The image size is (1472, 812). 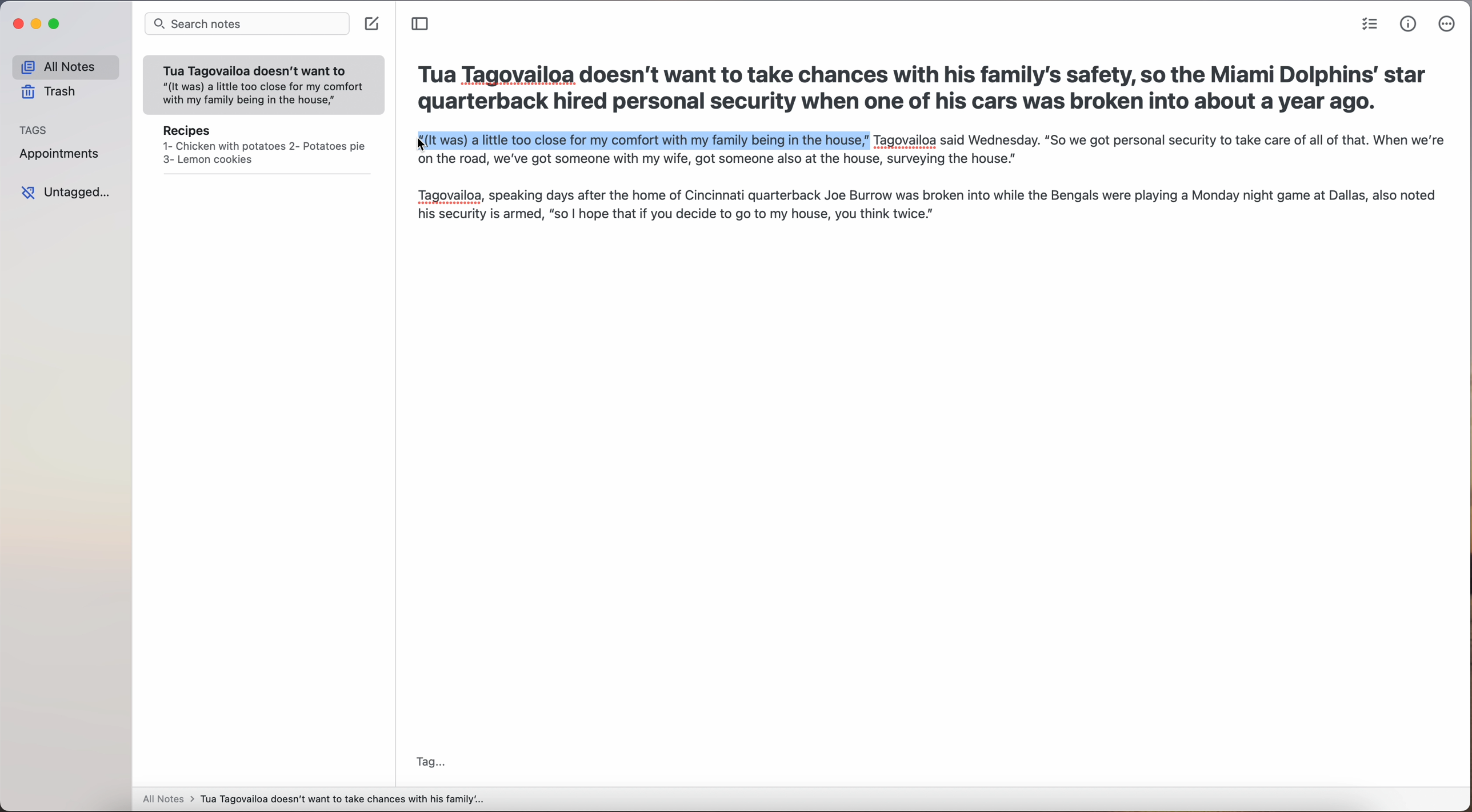 I want to click on toggle sidebar, so click(x=421, y=24).